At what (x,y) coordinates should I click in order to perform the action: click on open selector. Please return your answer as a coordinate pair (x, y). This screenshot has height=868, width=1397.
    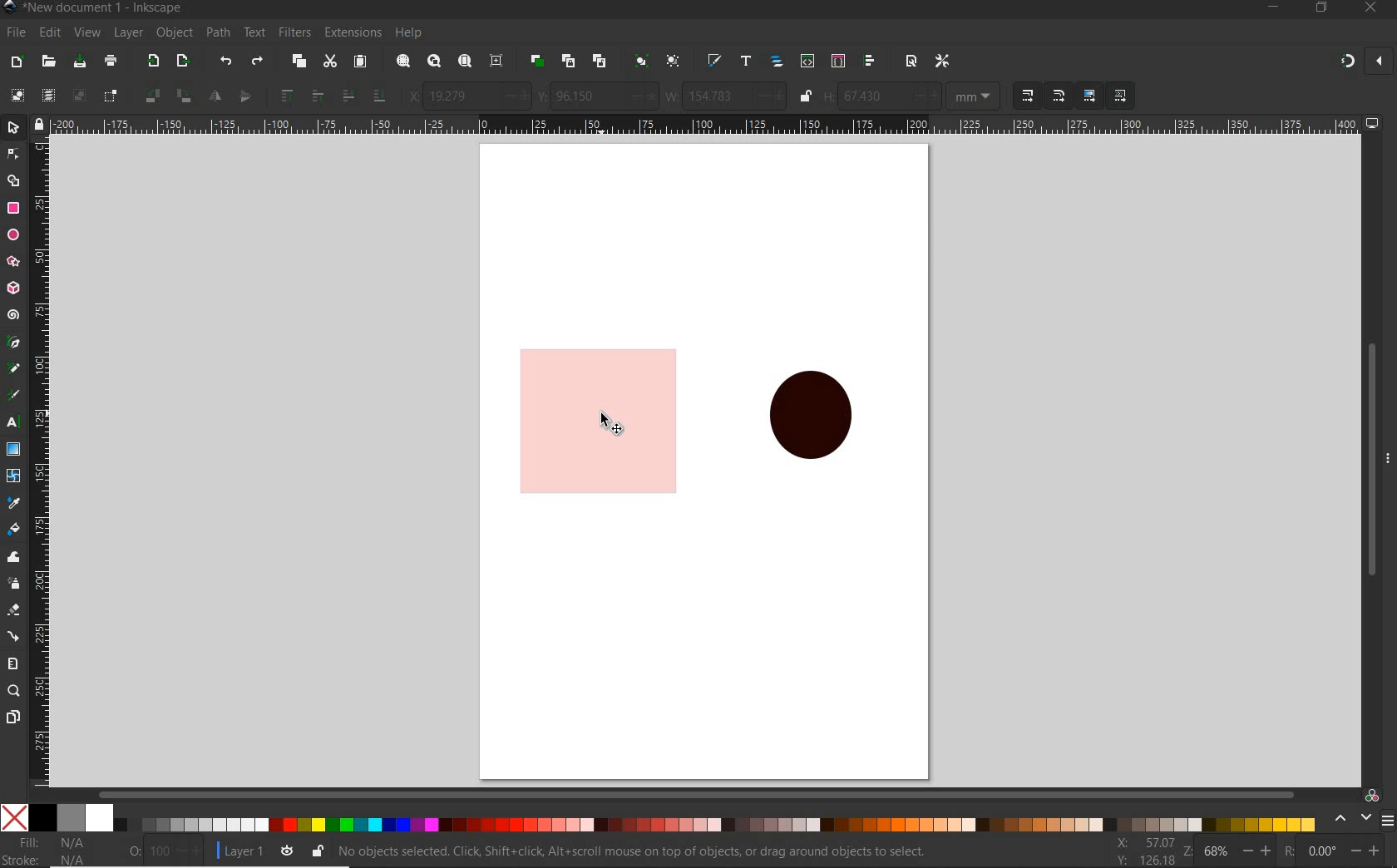
    Looking at the image, I should click on (837, 61).